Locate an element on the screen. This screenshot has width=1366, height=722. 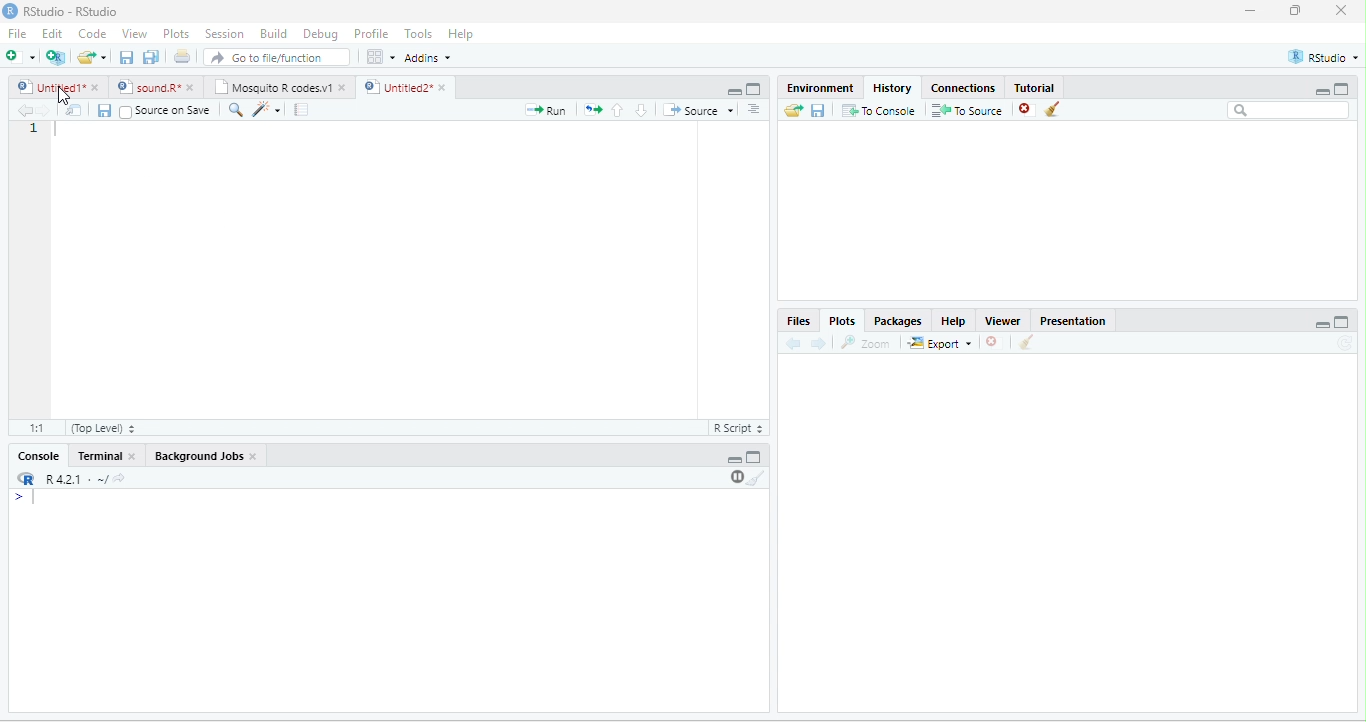
open file is located at coordinates (92, 57).